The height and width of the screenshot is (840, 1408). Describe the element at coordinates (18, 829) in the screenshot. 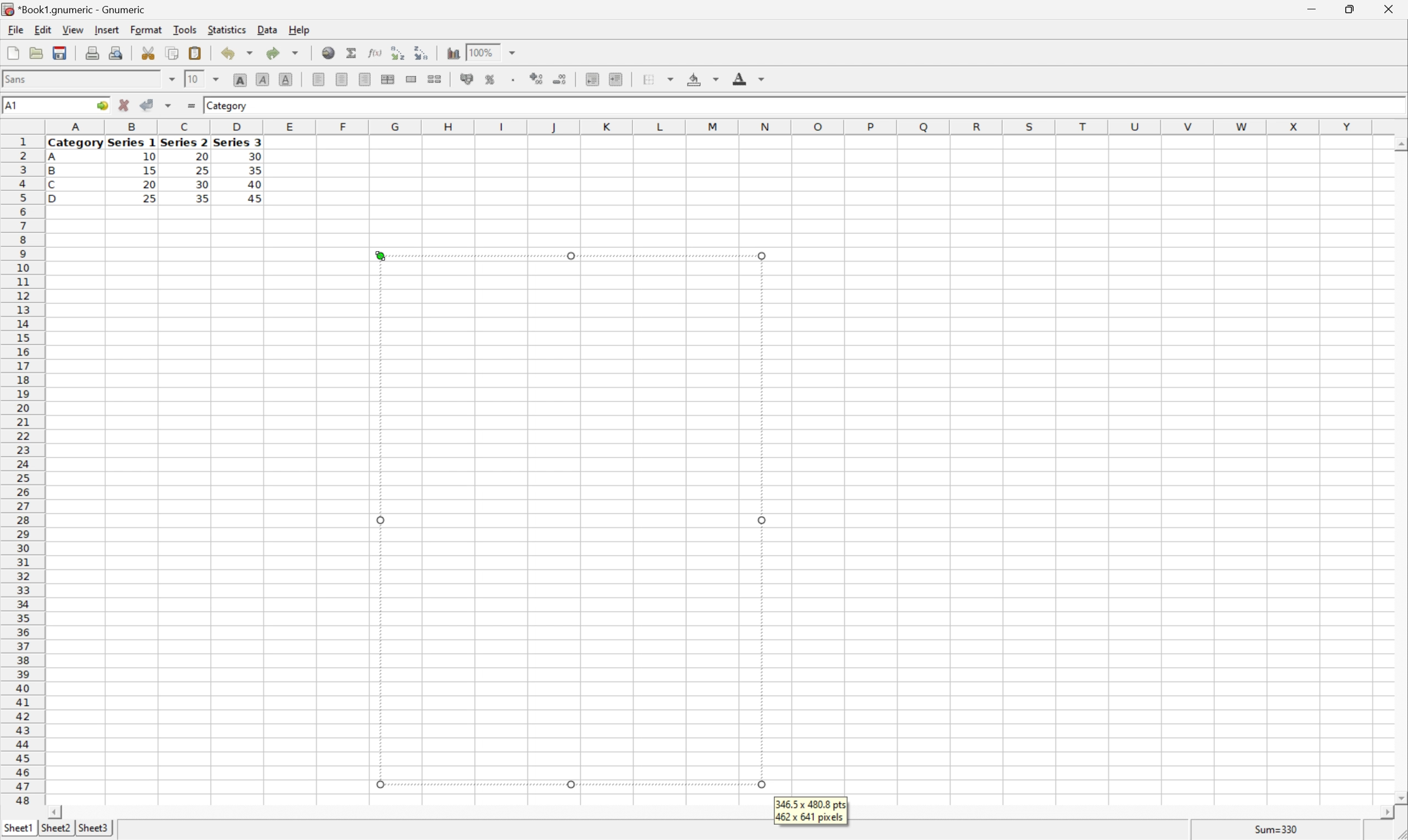

I see `Sheet1` at that location.